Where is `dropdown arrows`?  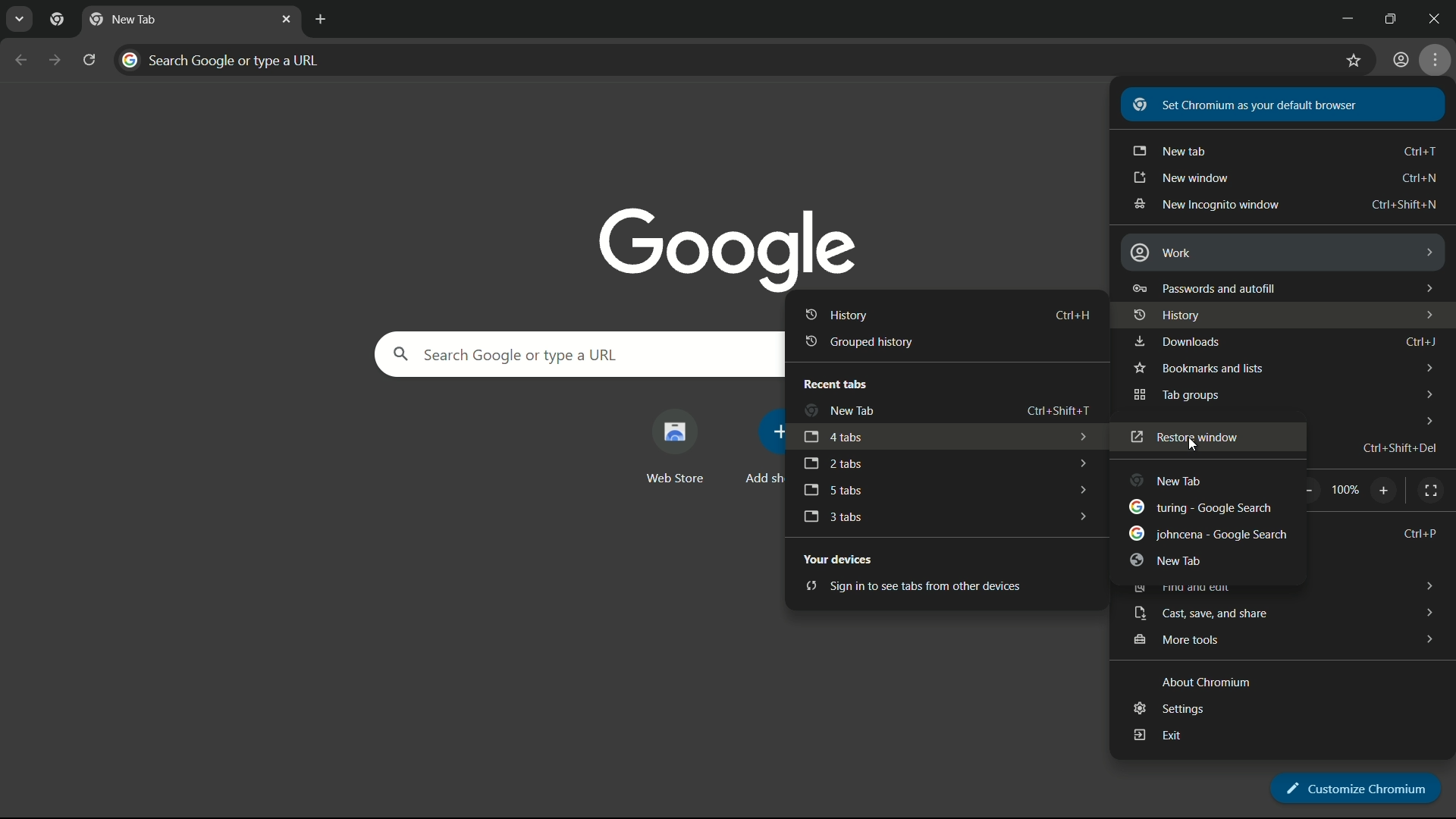
dropdown arrows is located at coordinates (1429, 613).